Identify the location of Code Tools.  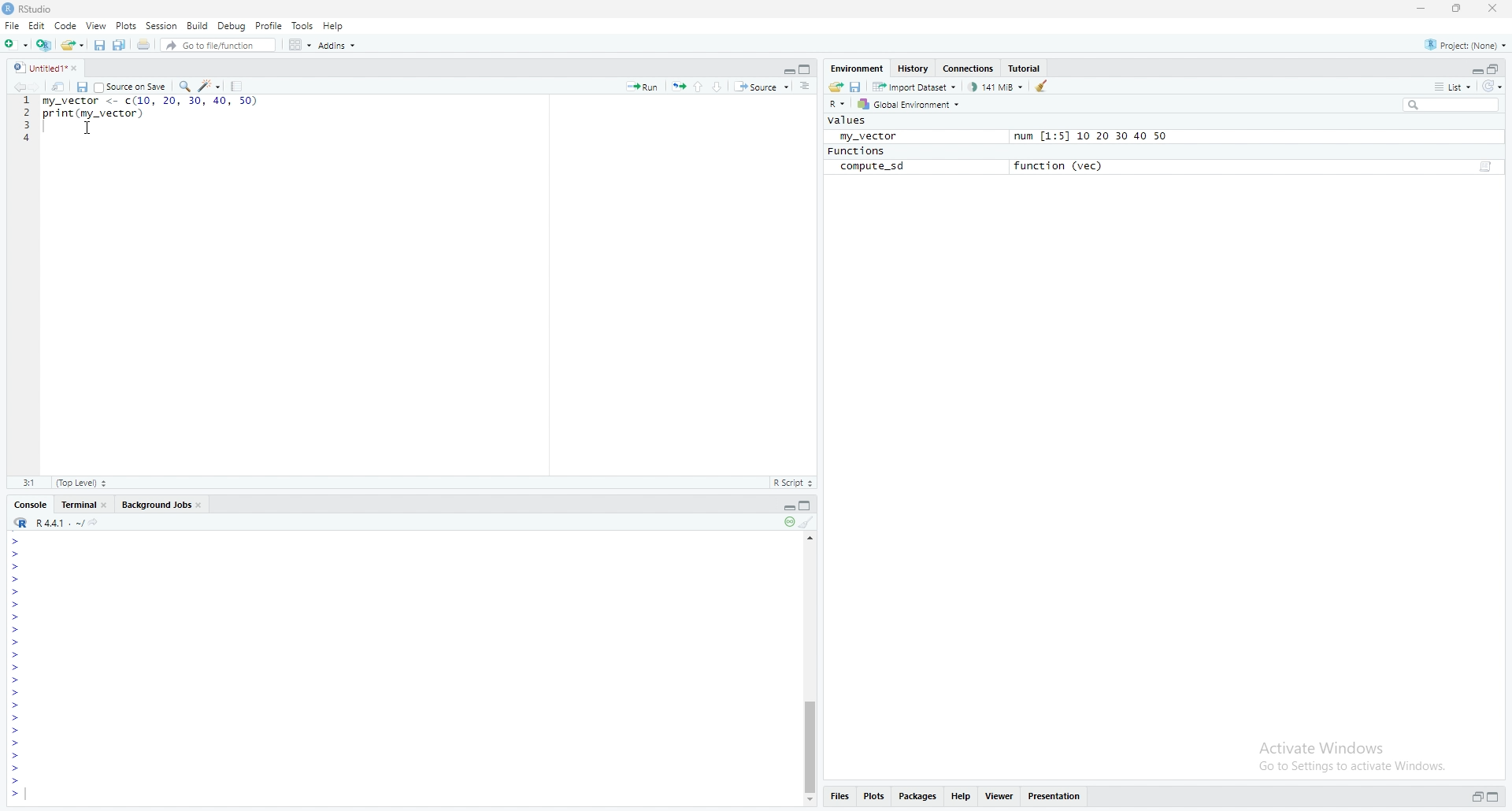
(210, 85).